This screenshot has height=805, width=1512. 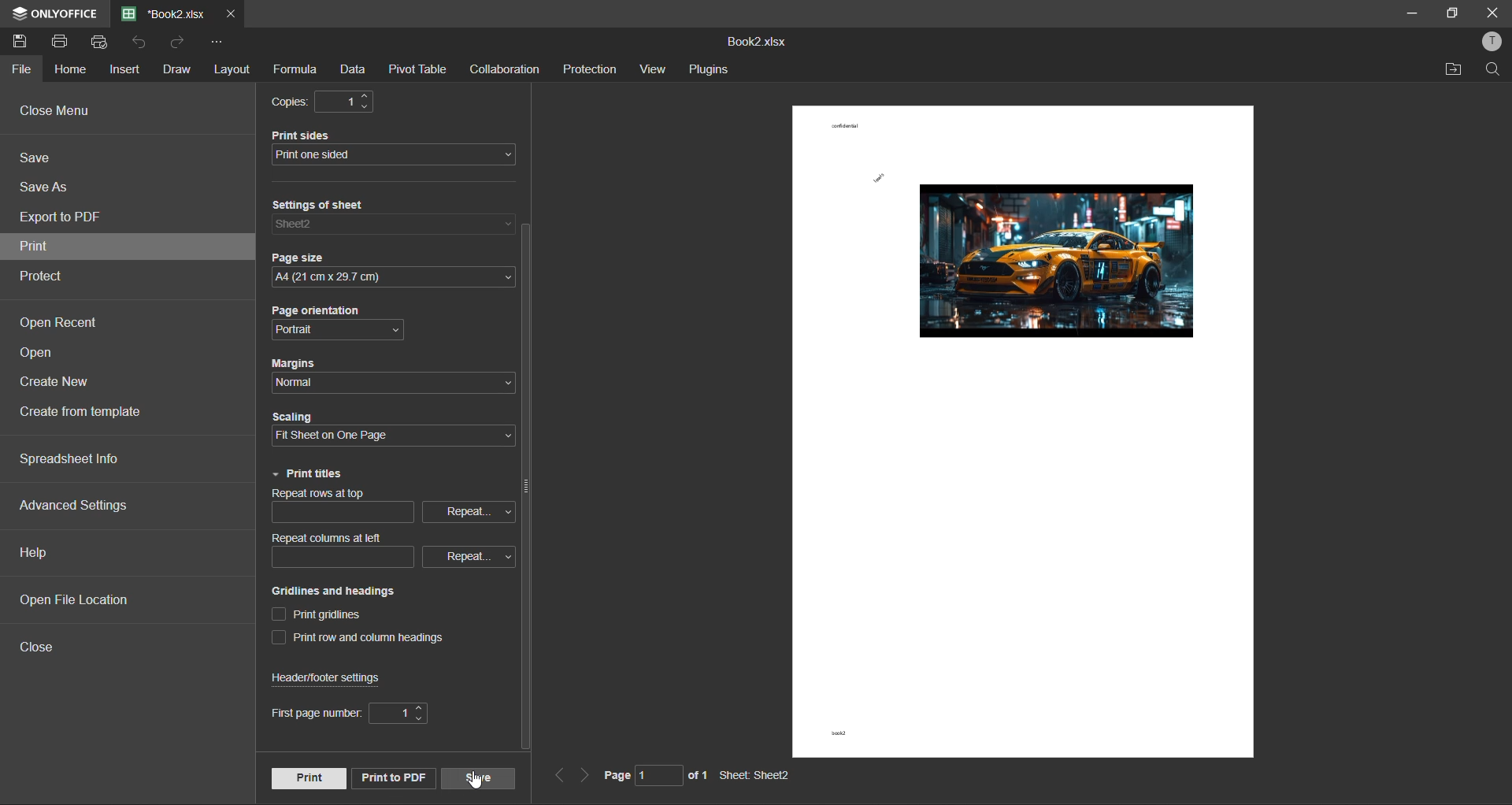 I want to click on vertical scroll bar, so click(x=532, y=488).